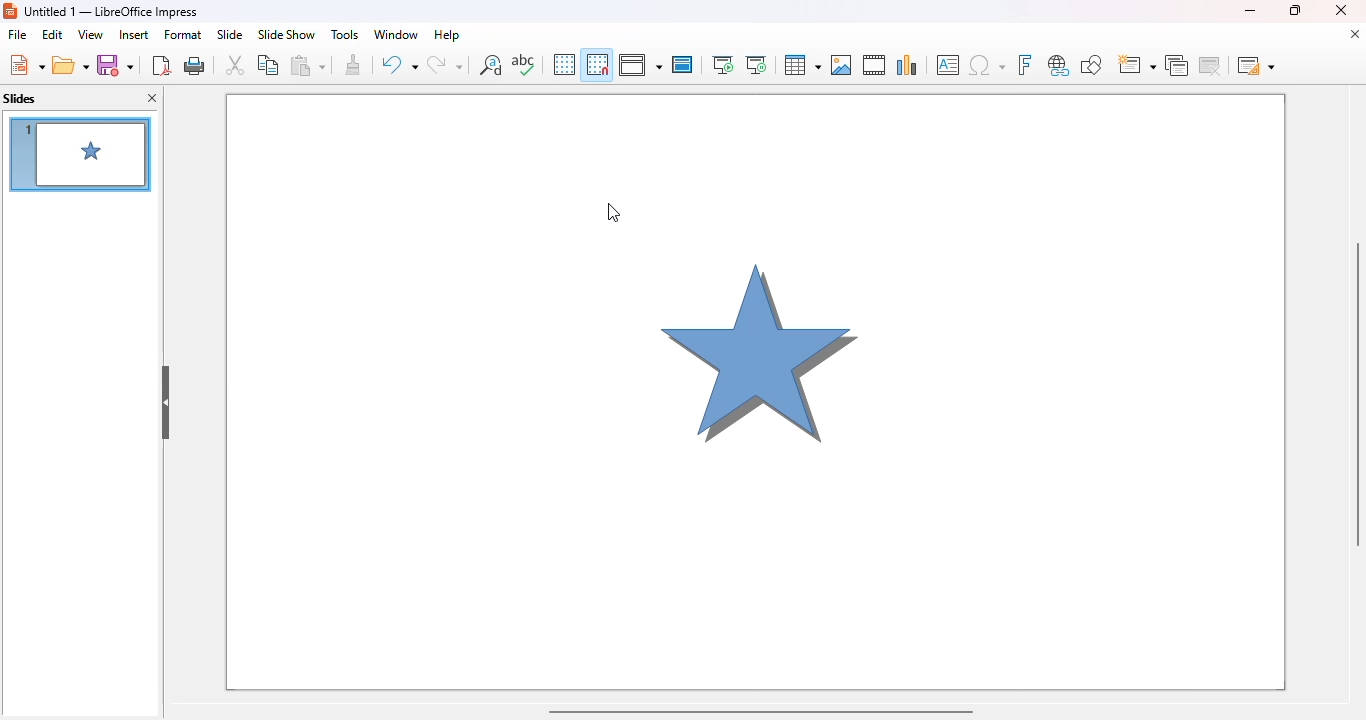  What do you see at coordinates (183, 35) in the screenshot?
I see `format` at bounding box center [183, 35].